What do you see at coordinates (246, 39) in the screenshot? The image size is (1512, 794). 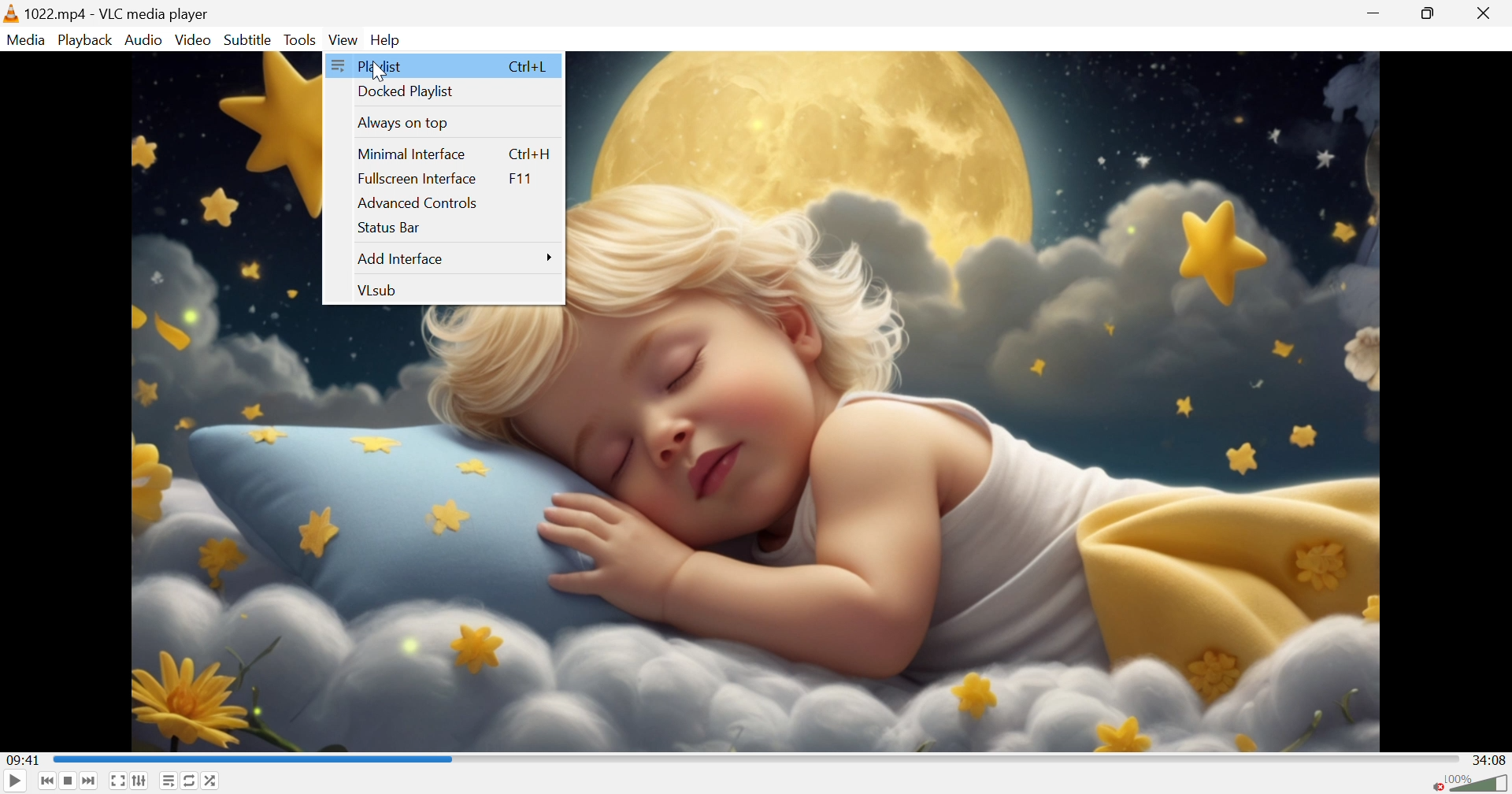 I see `Subtitle` at bounding box center [246, 39].